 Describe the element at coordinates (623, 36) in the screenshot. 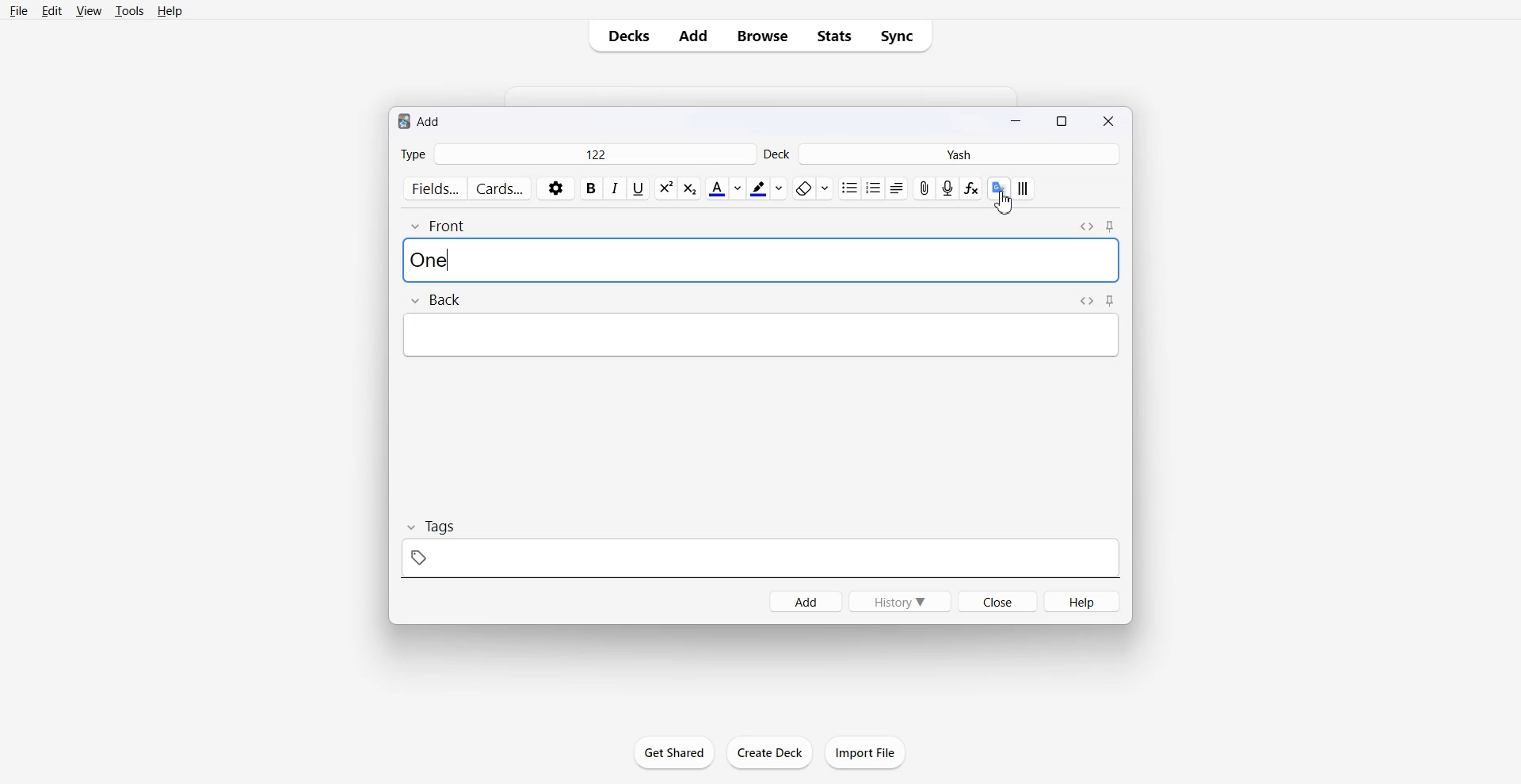

I see `Decks` at that location.